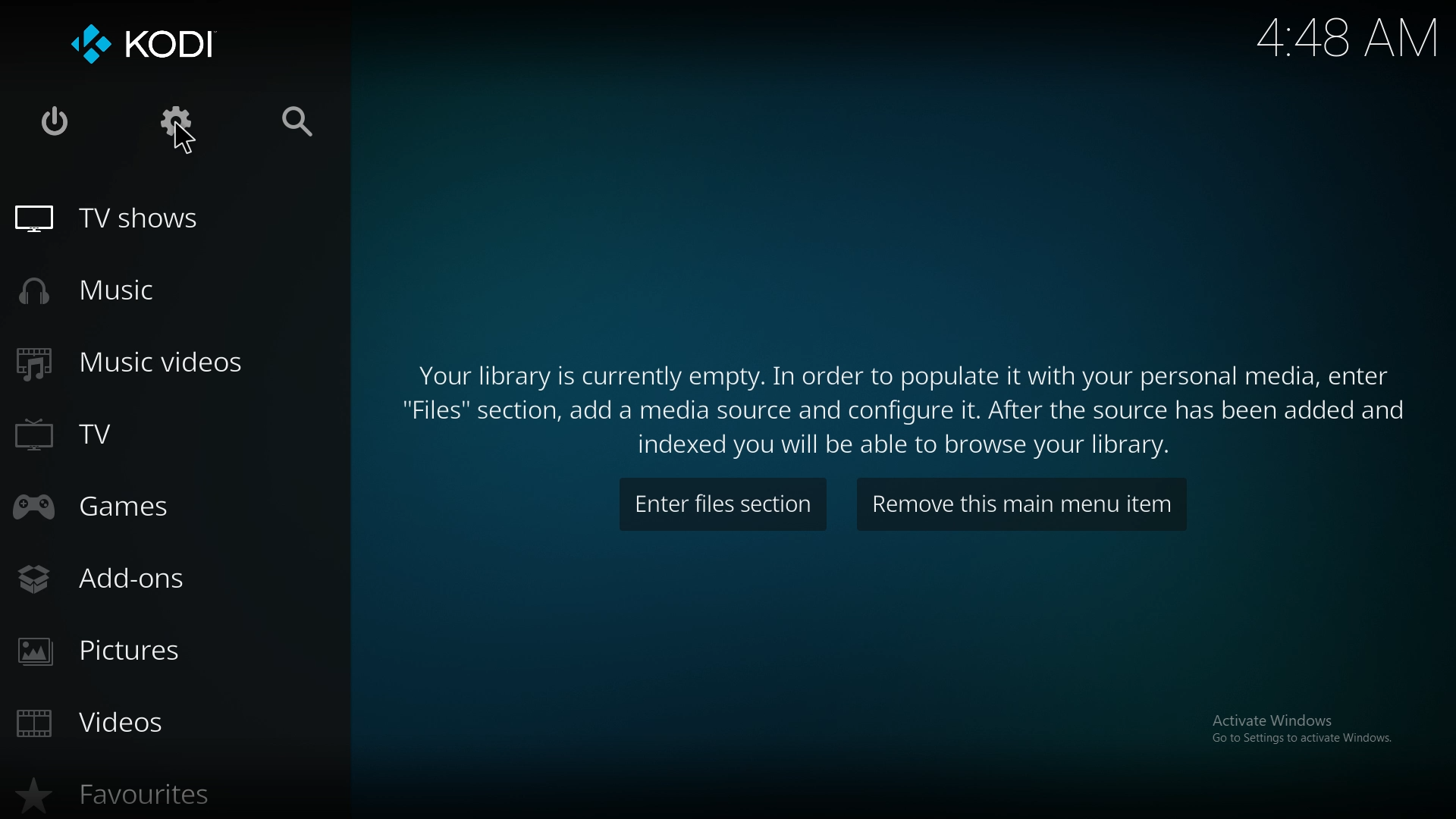  Describe the element at coordinates (126, 650) in the screenshot. I see `pictures` at that location.